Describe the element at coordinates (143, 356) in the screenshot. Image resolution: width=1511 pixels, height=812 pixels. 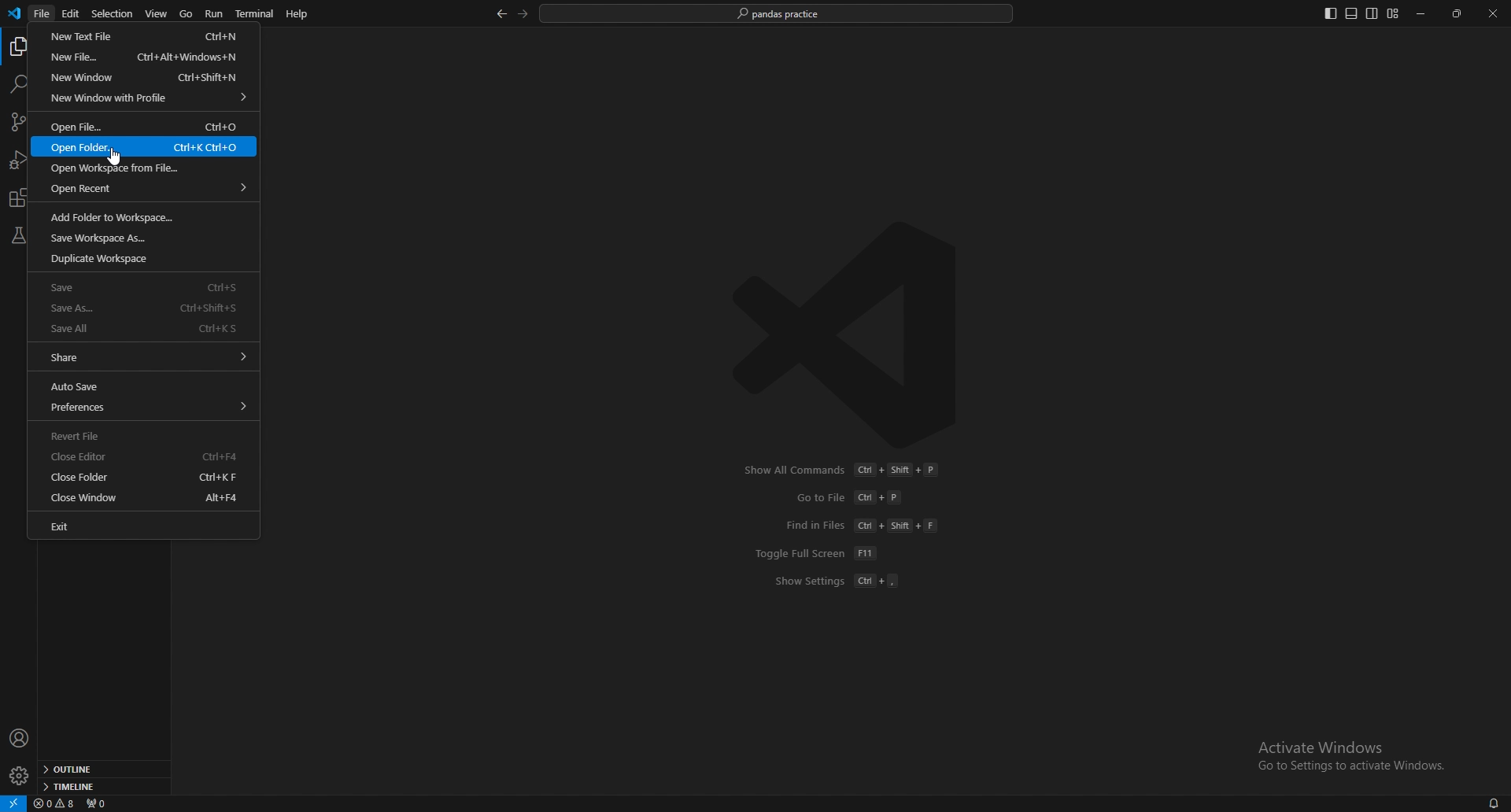
I see `share` at that location.